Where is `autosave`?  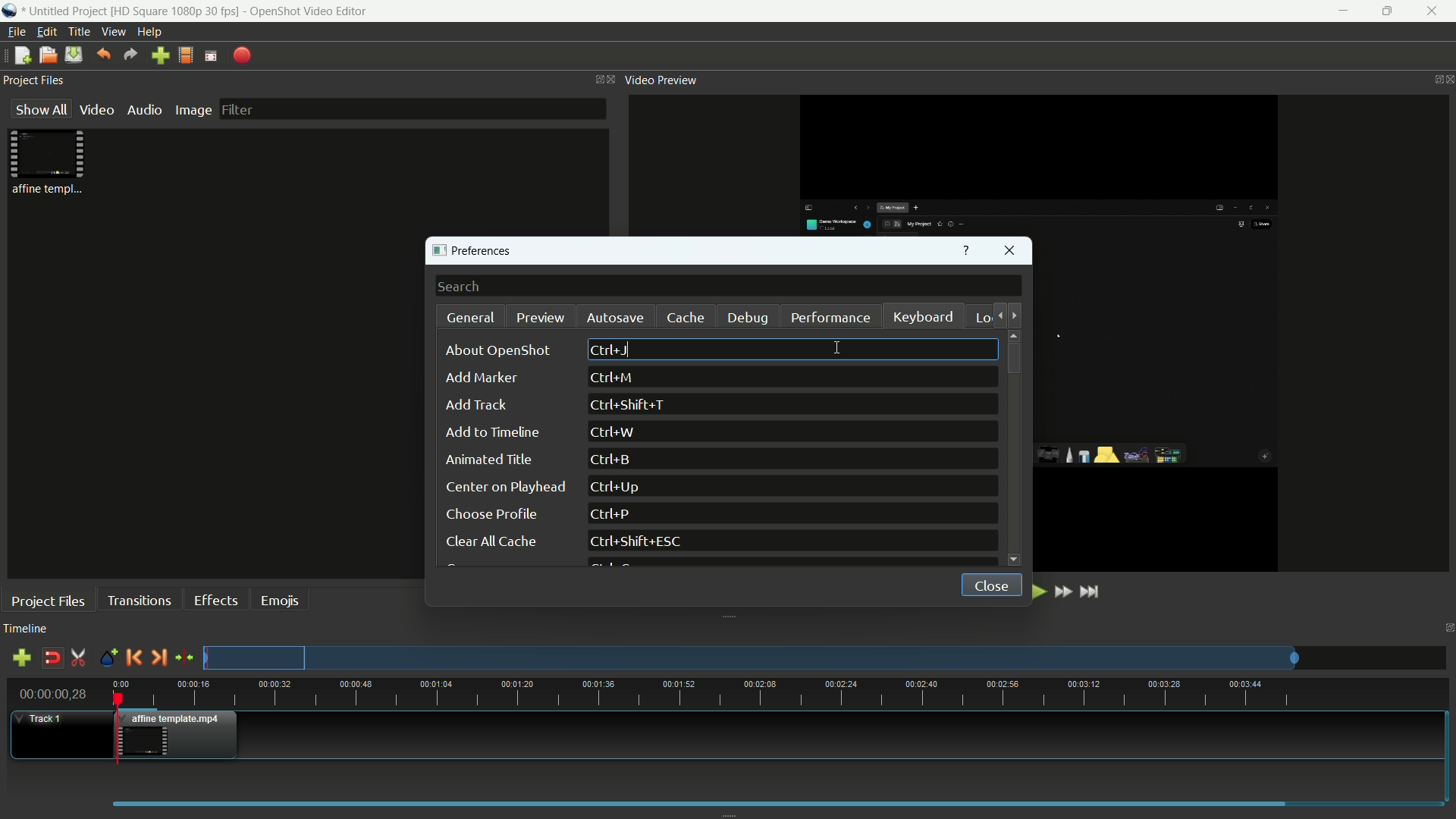
autosave is located at coordinates (613, 318).